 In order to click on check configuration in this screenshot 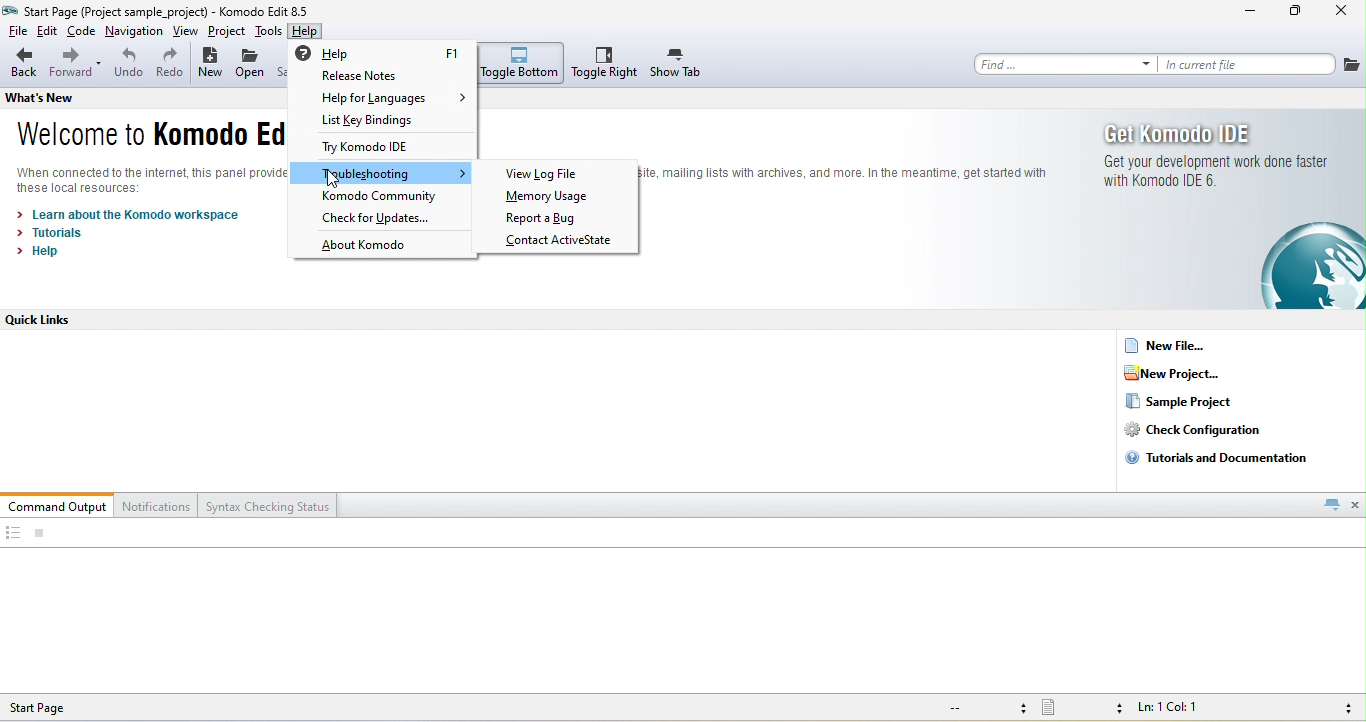, I will do `click(1208, 430)`.